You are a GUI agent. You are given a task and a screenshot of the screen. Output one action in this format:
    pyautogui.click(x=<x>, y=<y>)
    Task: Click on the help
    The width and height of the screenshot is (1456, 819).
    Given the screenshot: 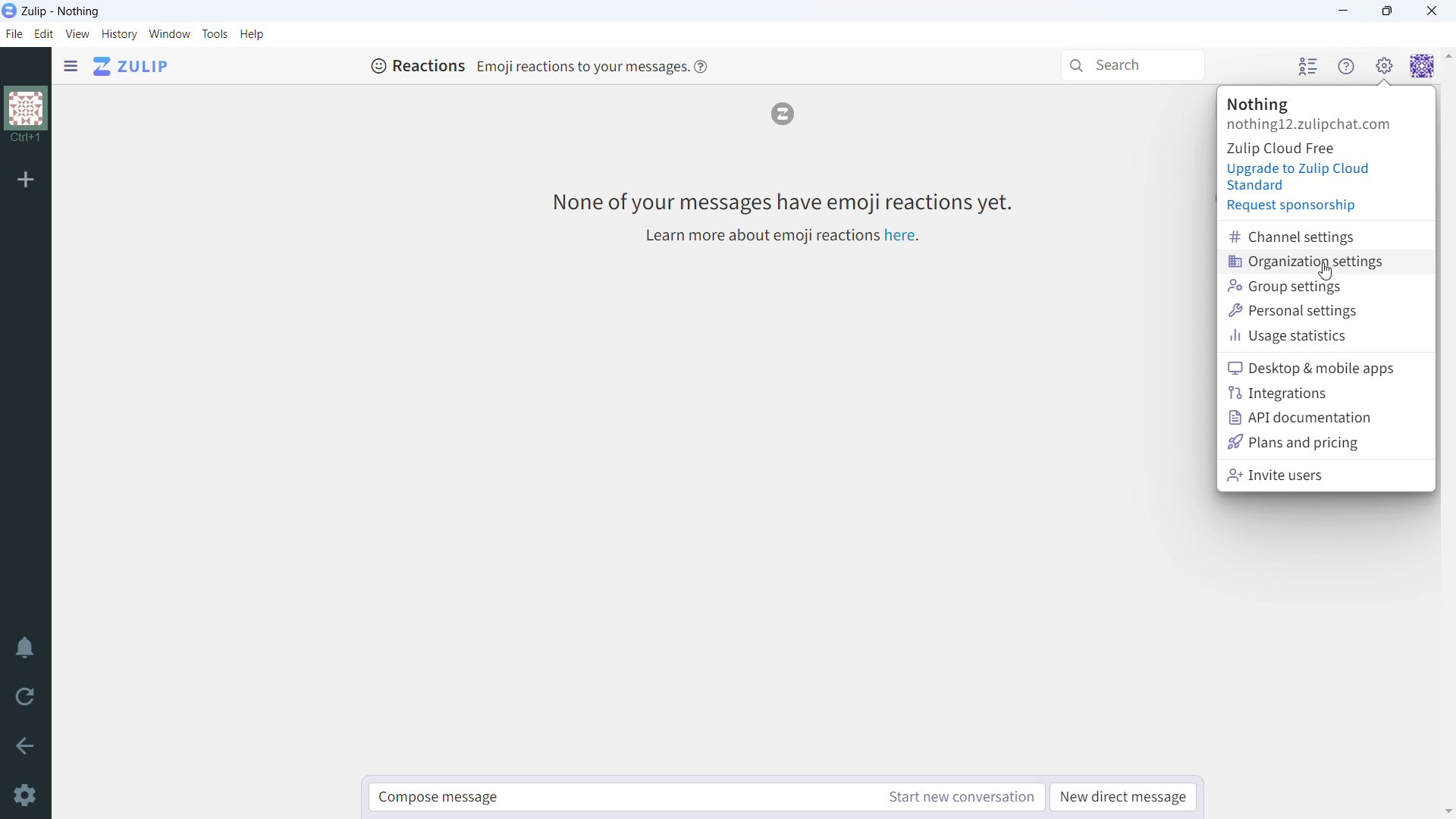 What is the action you would take?
    pyautogui.click(x=701, y=65)
    